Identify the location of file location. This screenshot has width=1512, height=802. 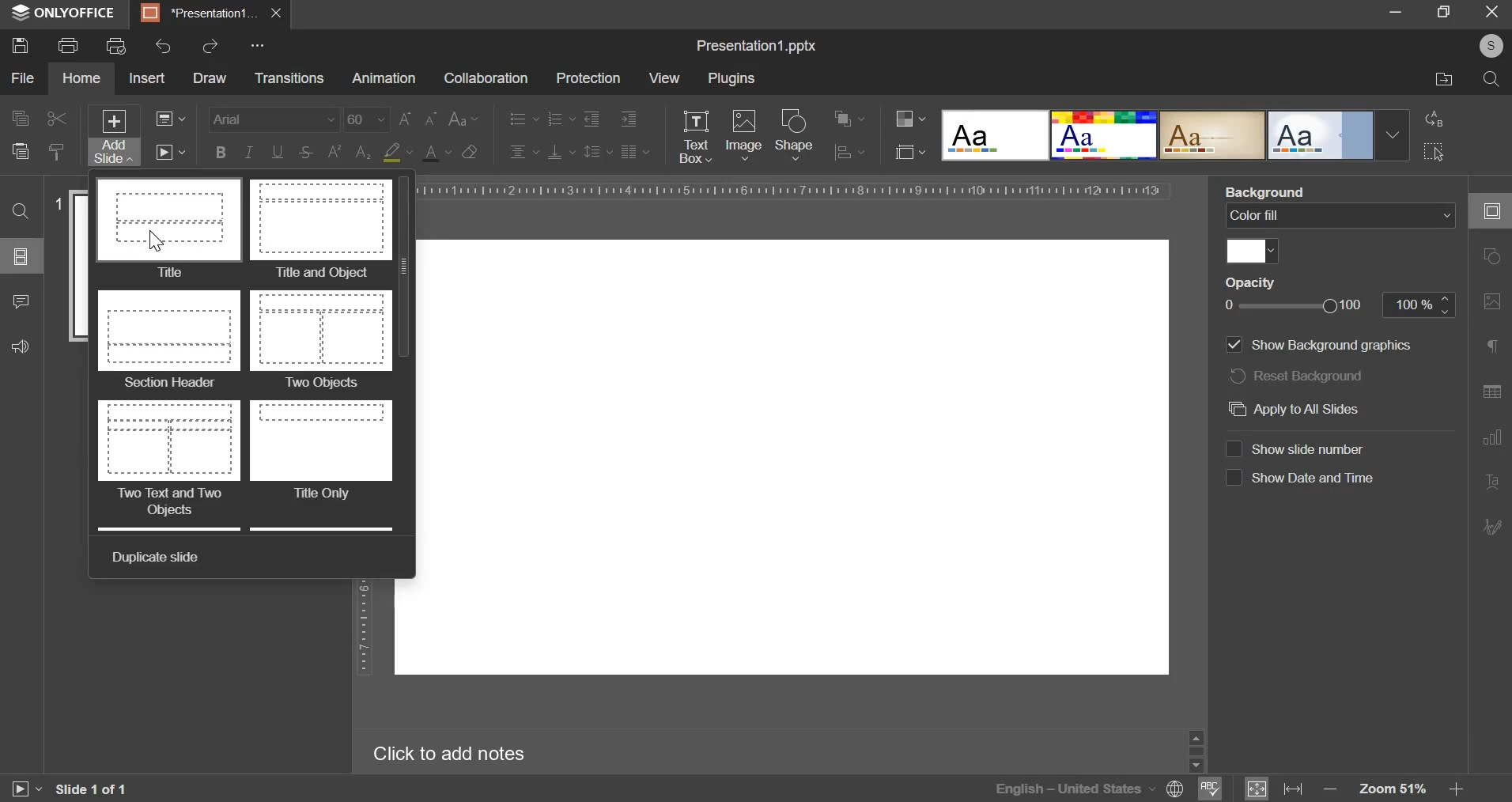
(1445, 80).